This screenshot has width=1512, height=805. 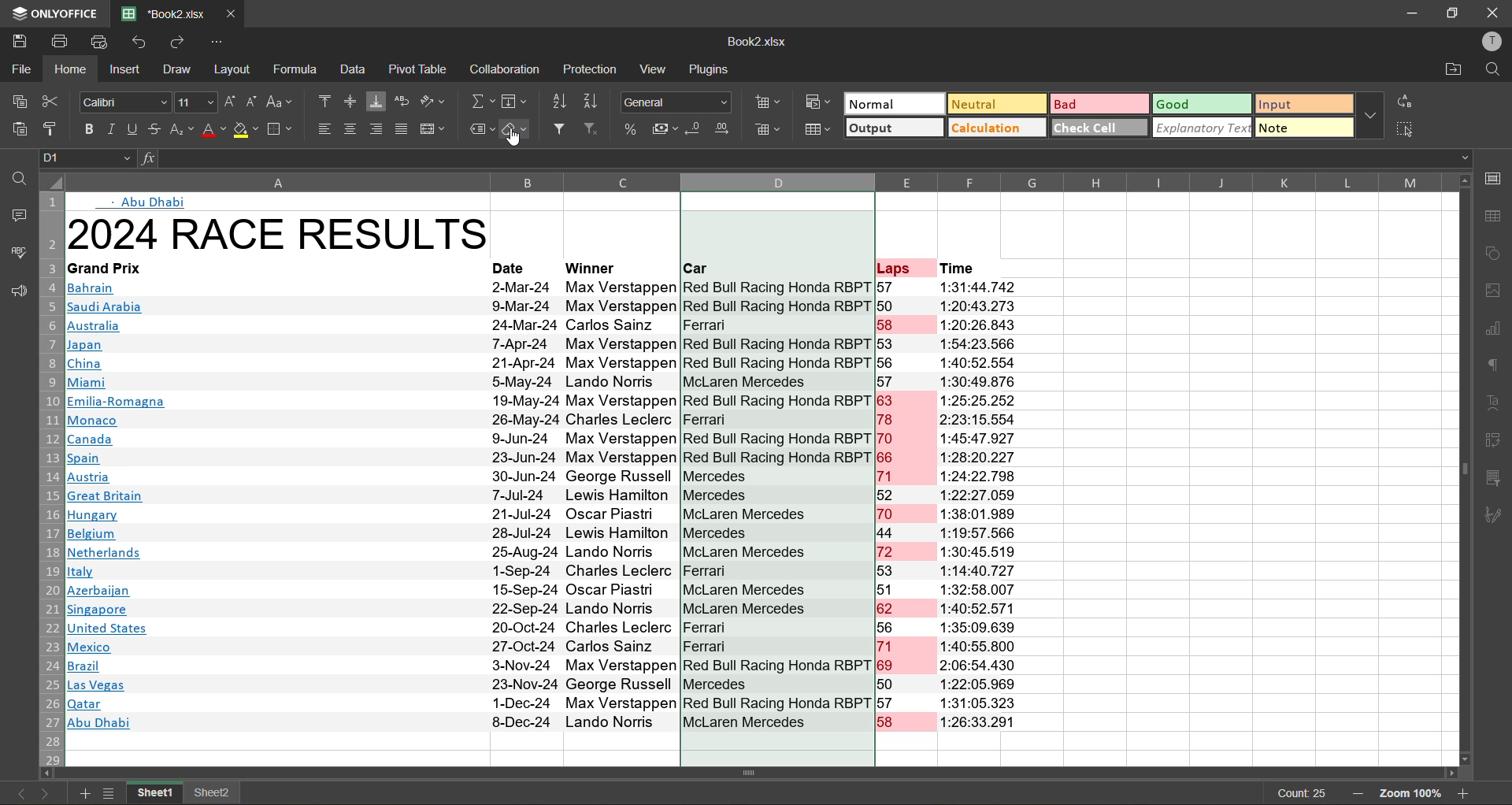 I want to click on save, so click(x=15, y=39).